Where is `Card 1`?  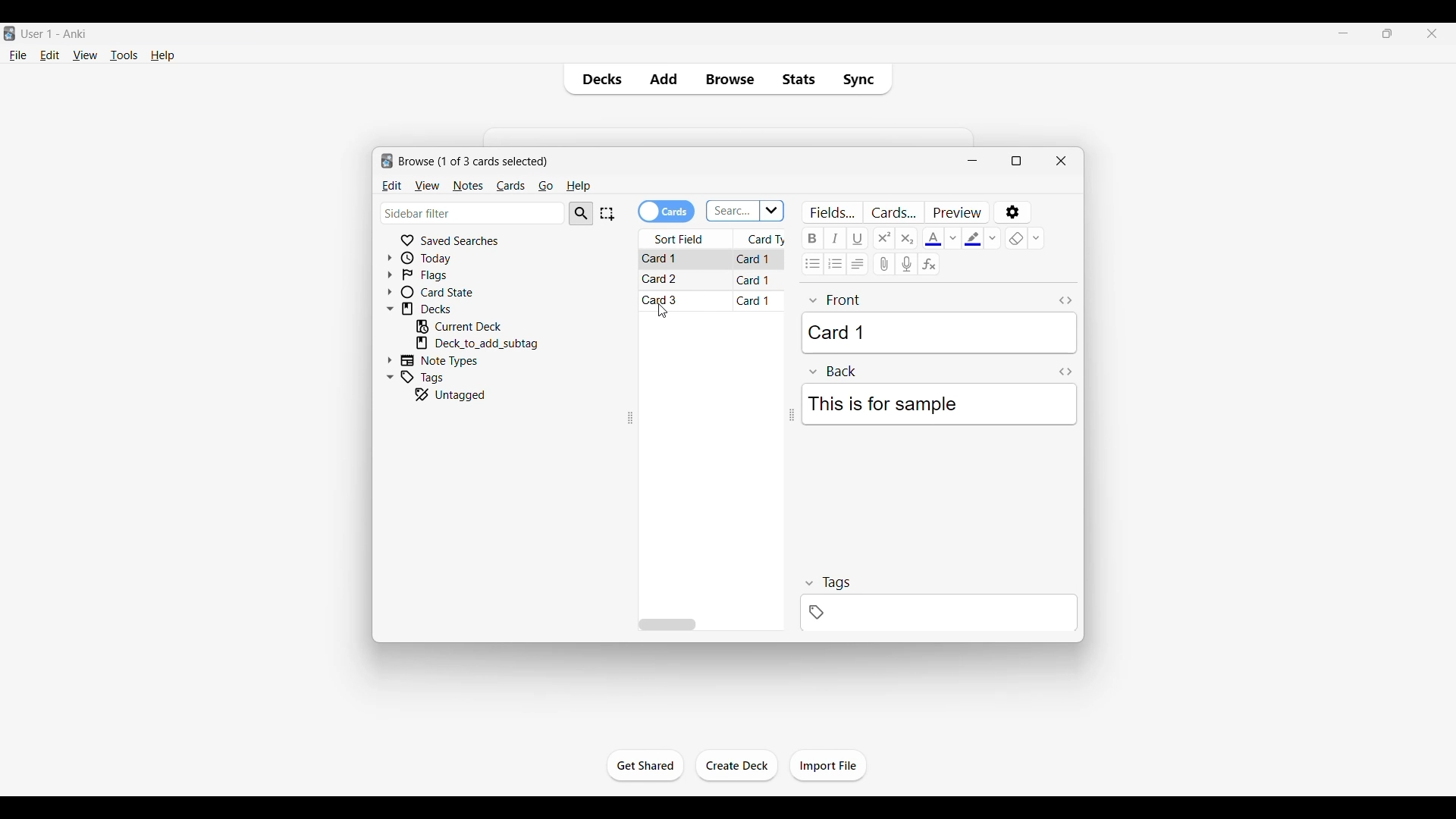 Card 1 is located at coordinates (754, 279).